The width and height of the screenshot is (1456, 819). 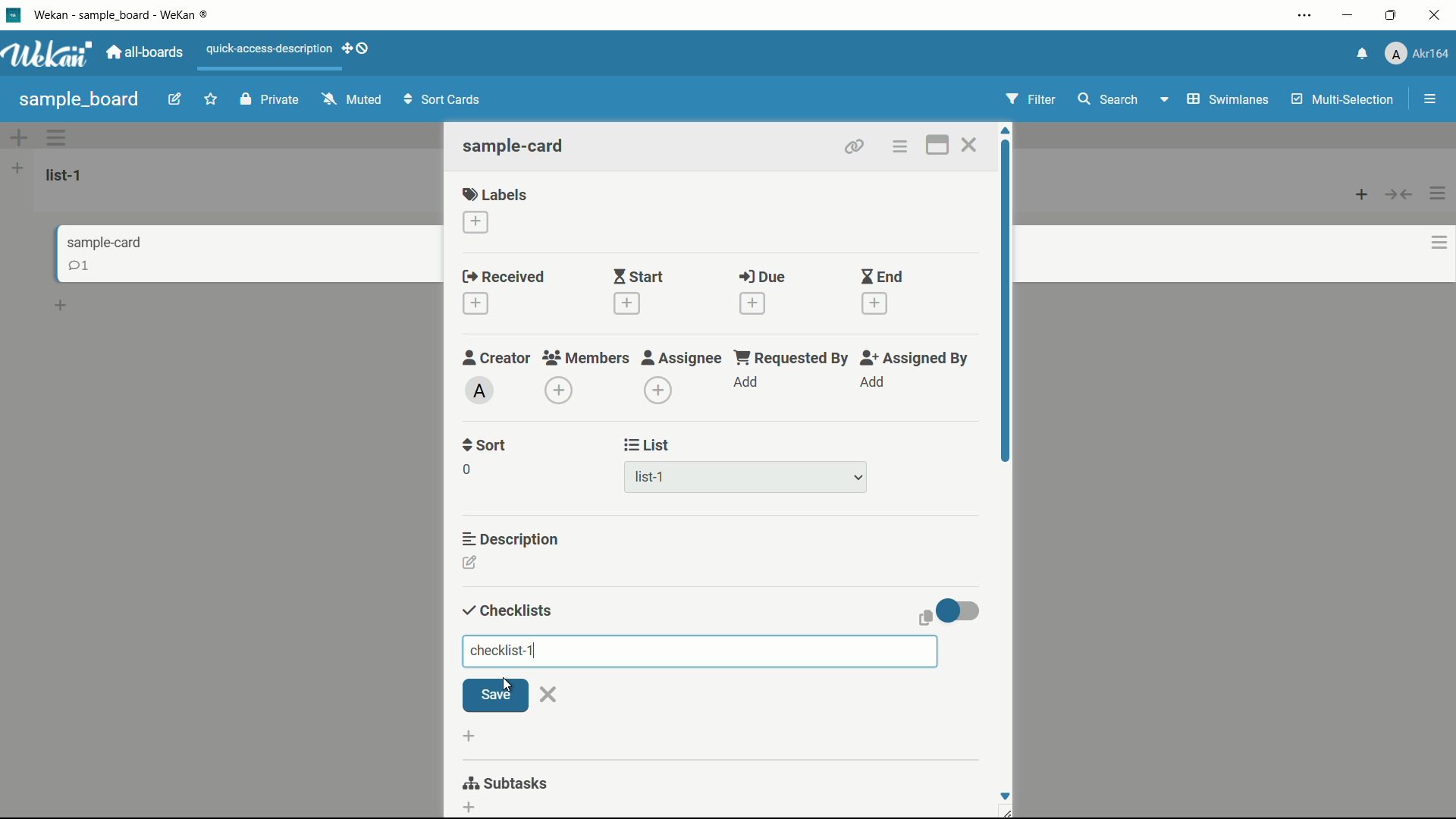 What do you see at coordinates (959, 610) in the screenshot?
I see `toggle button` at bounding box center [959, 610].